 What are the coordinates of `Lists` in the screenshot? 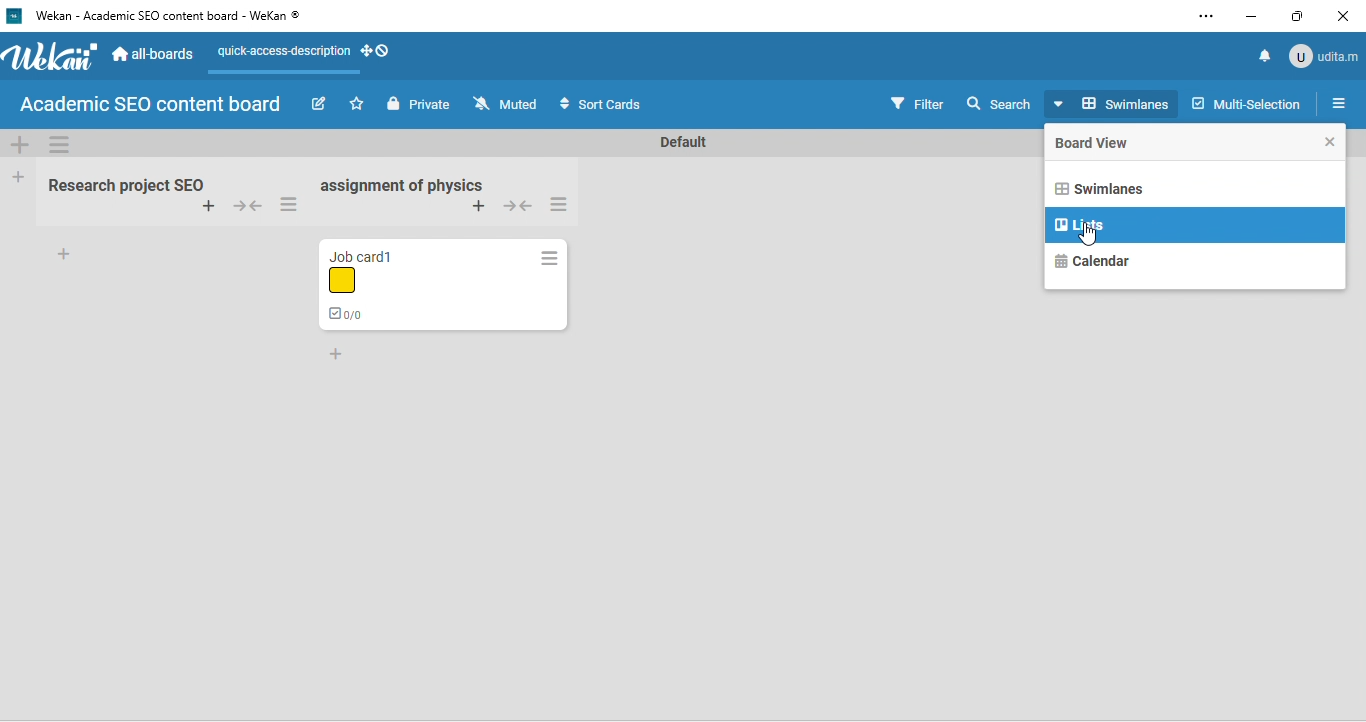 It's located at (1081, 224).